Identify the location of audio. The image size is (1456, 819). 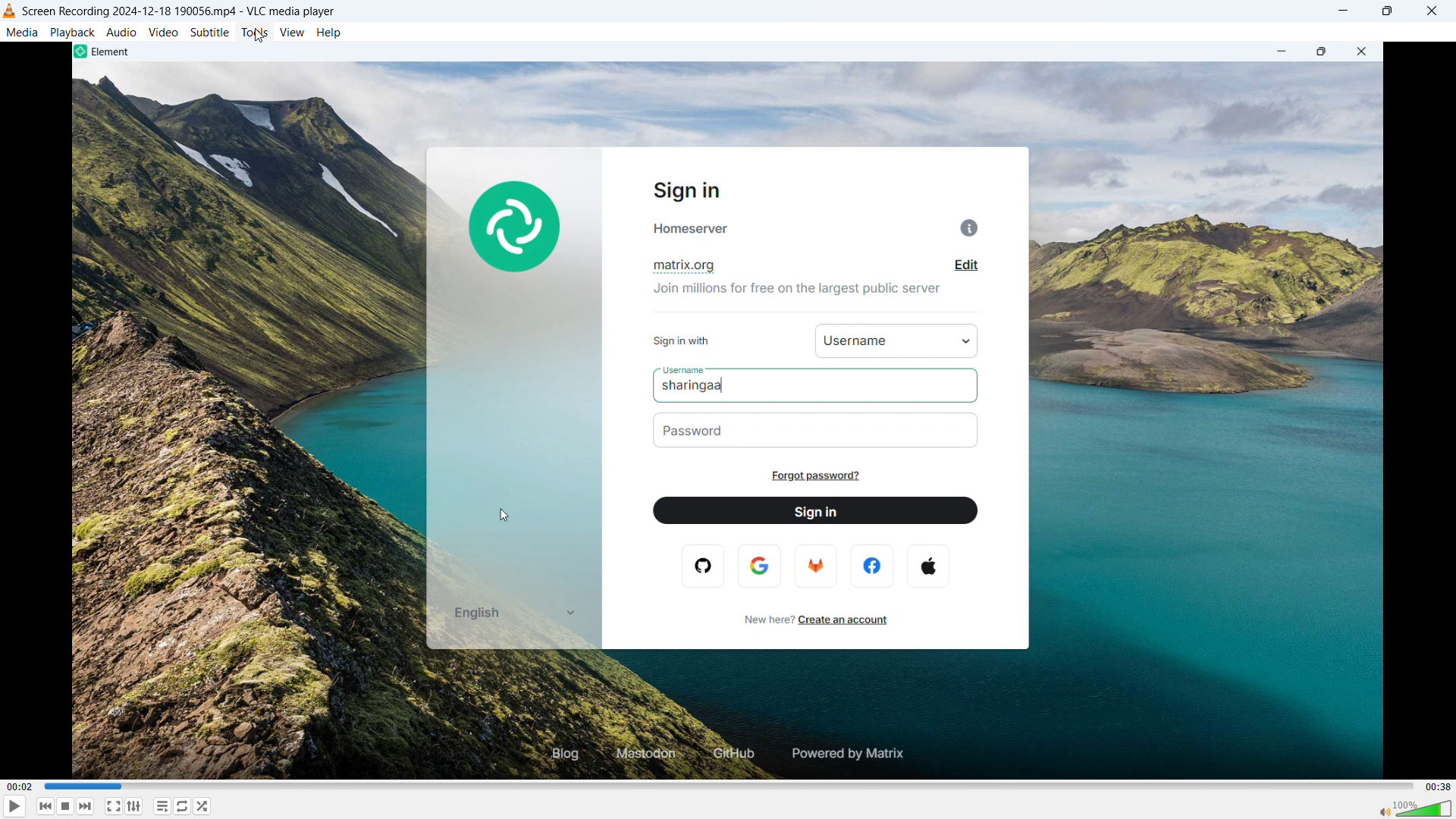
(121, 33).